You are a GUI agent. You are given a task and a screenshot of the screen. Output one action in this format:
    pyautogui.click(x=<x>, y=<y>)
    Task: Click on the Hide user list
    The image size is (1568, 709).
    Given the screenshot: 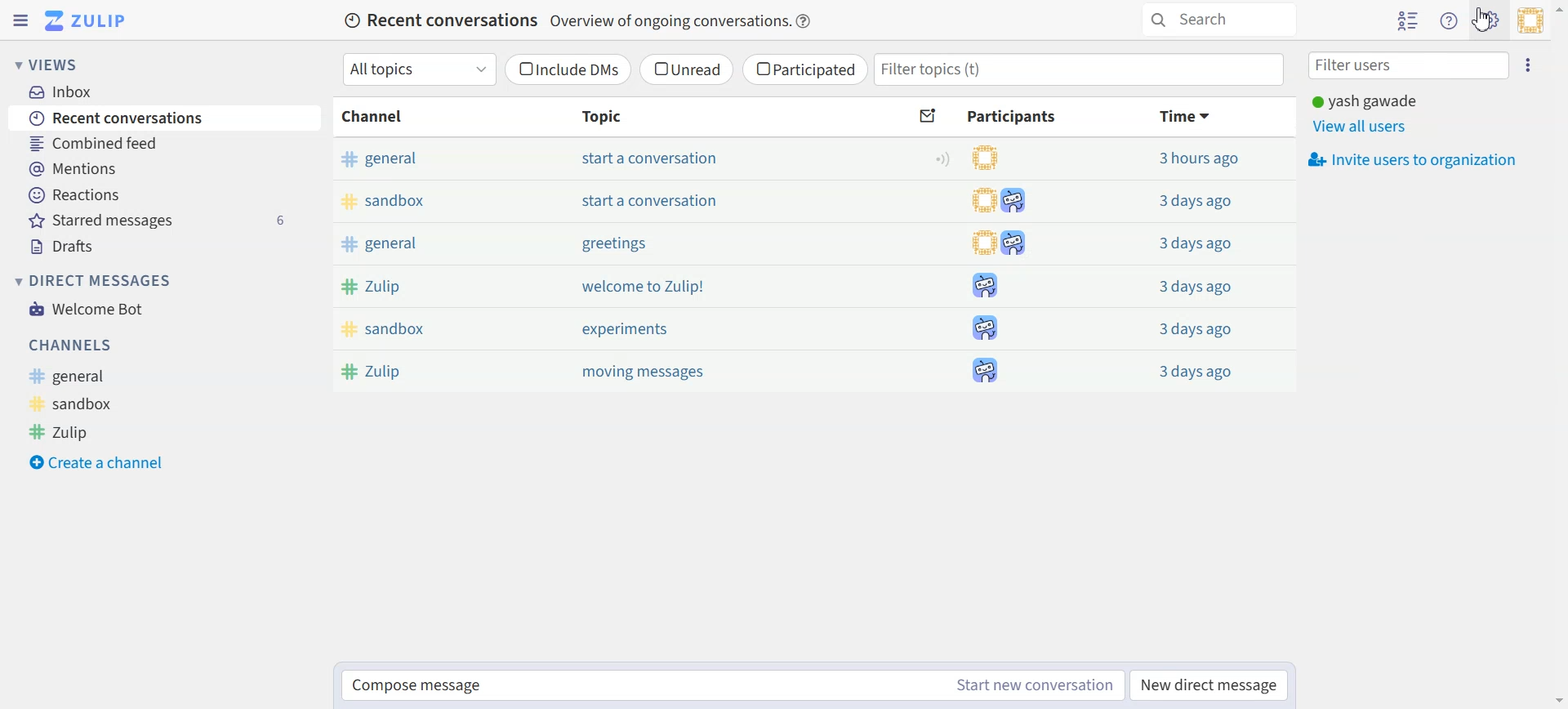 What is the action you would take?
    pyautogui.click(x=1406, y=21)
    